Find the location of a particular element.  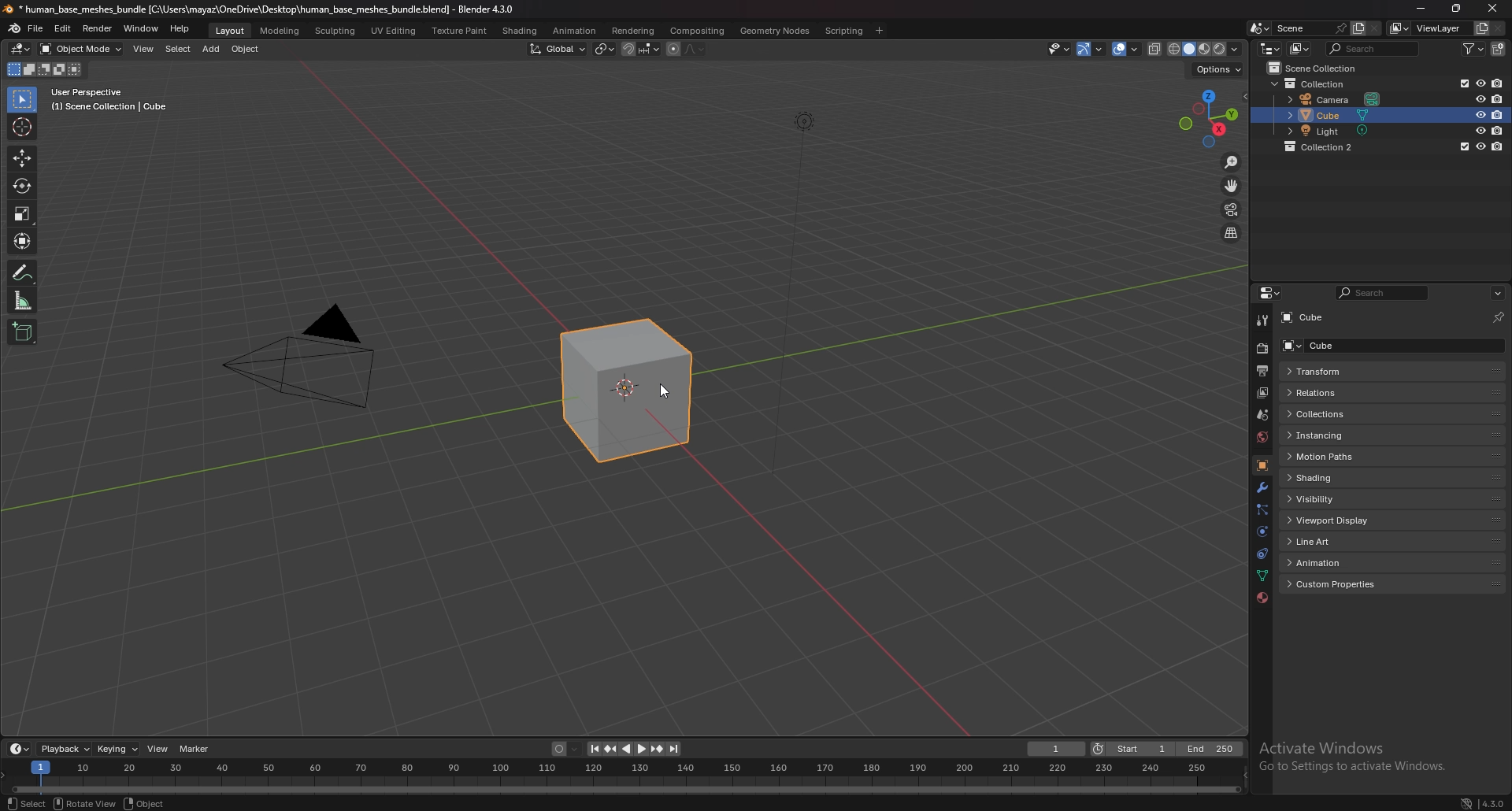

jump to endpoint is located at coordinates (593, 749).